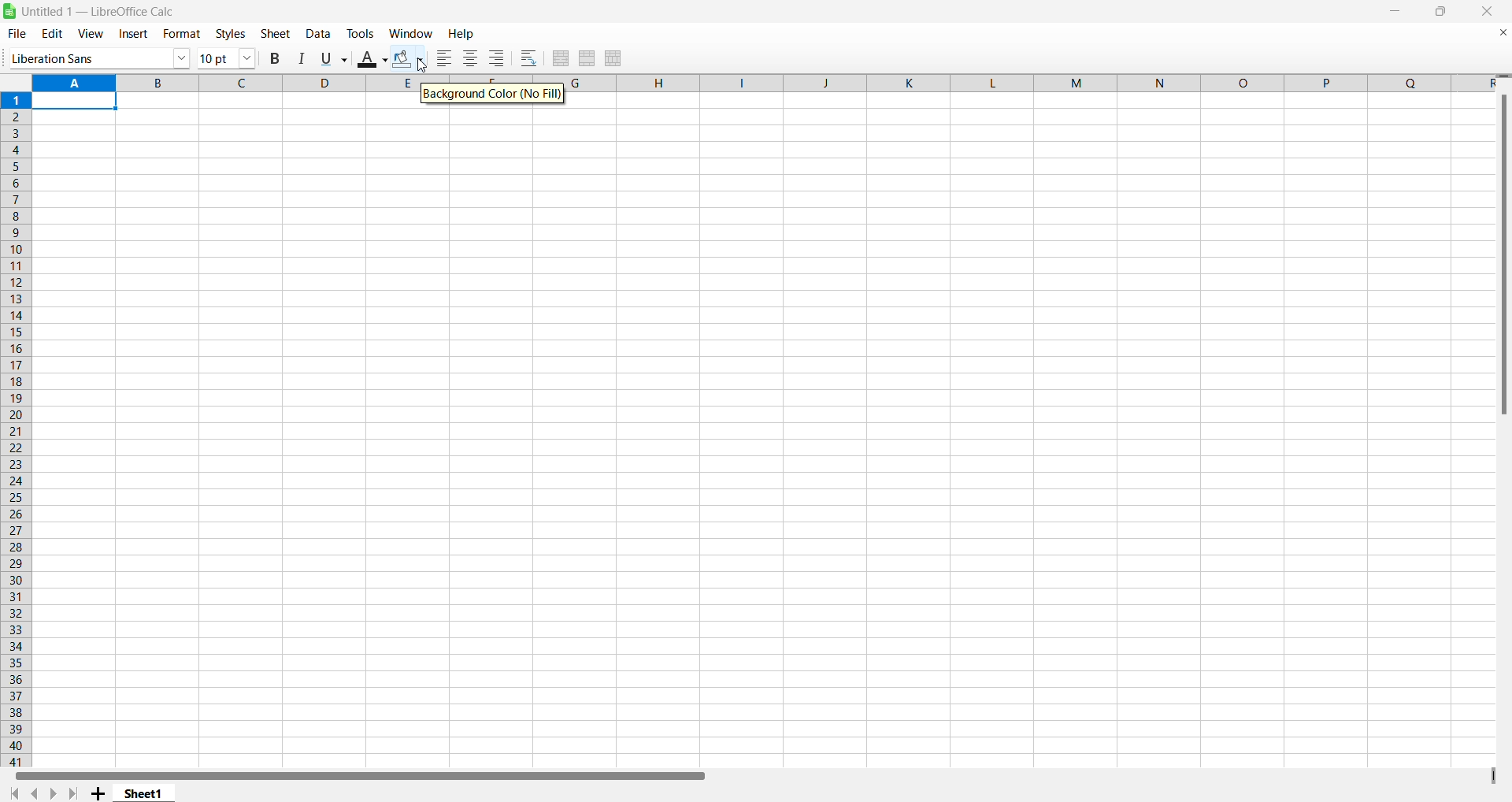 The image size is (1512, 802). I want to click on center aligned, so click(469, 58).